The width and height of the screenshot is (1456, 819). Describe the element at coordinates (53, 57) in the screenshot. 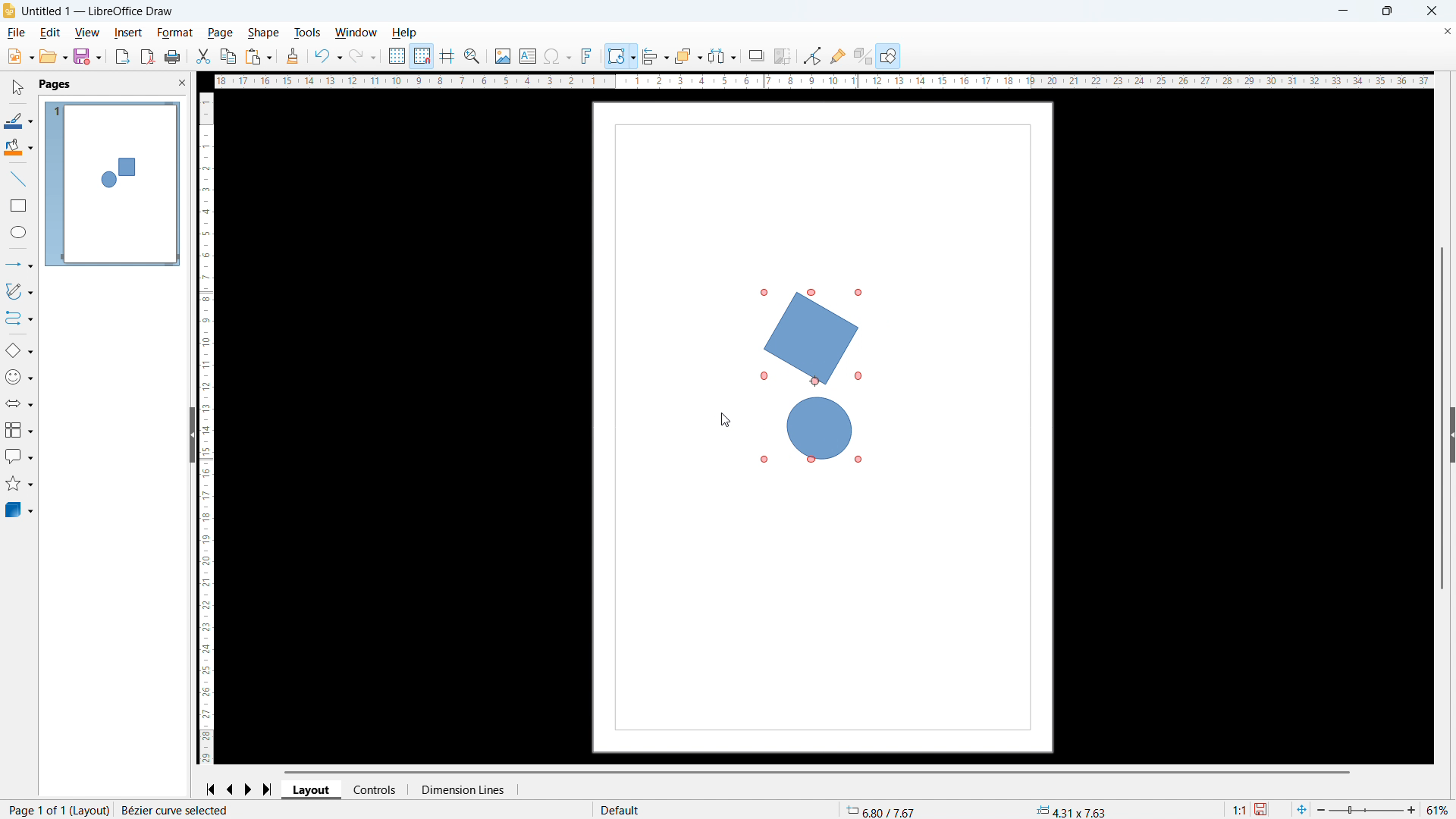

I see `open ` at that location.